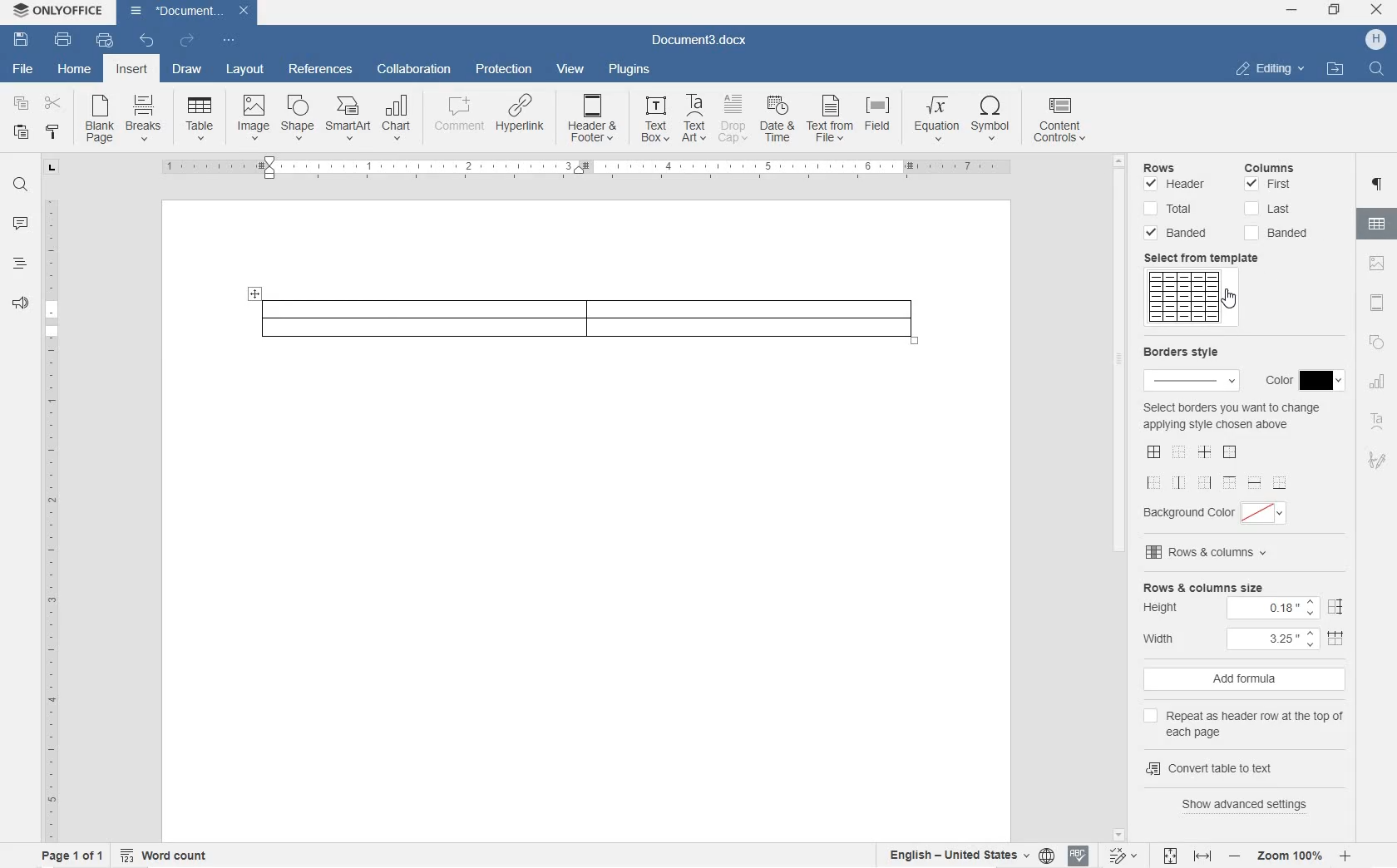 This screenshot has width=1397, height=868. What do you see at coordinates (1267, 209) in the screenshot?
I see `Last` at bounding box center [1267, 209].